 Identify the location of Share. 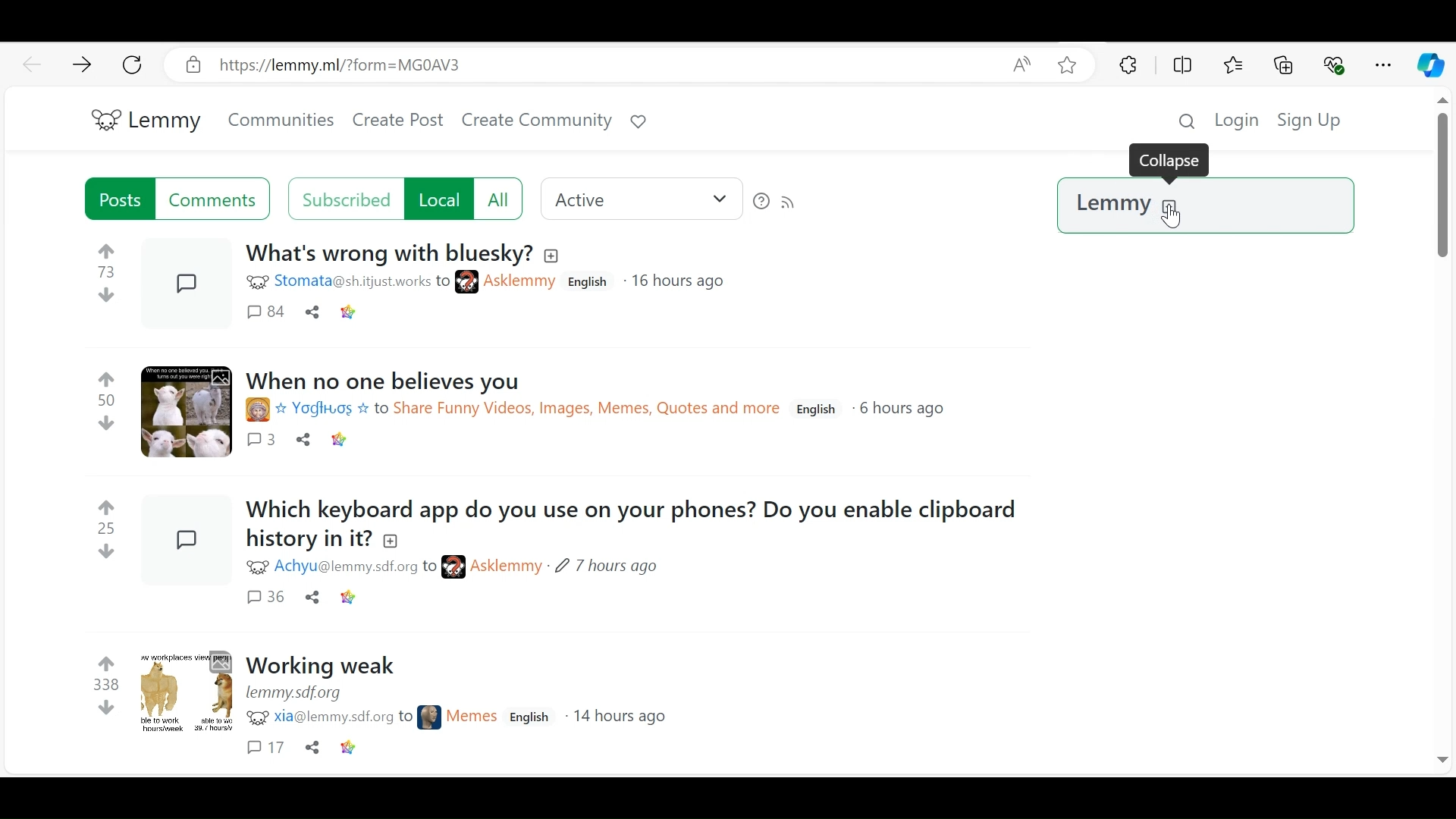
(312, 598).